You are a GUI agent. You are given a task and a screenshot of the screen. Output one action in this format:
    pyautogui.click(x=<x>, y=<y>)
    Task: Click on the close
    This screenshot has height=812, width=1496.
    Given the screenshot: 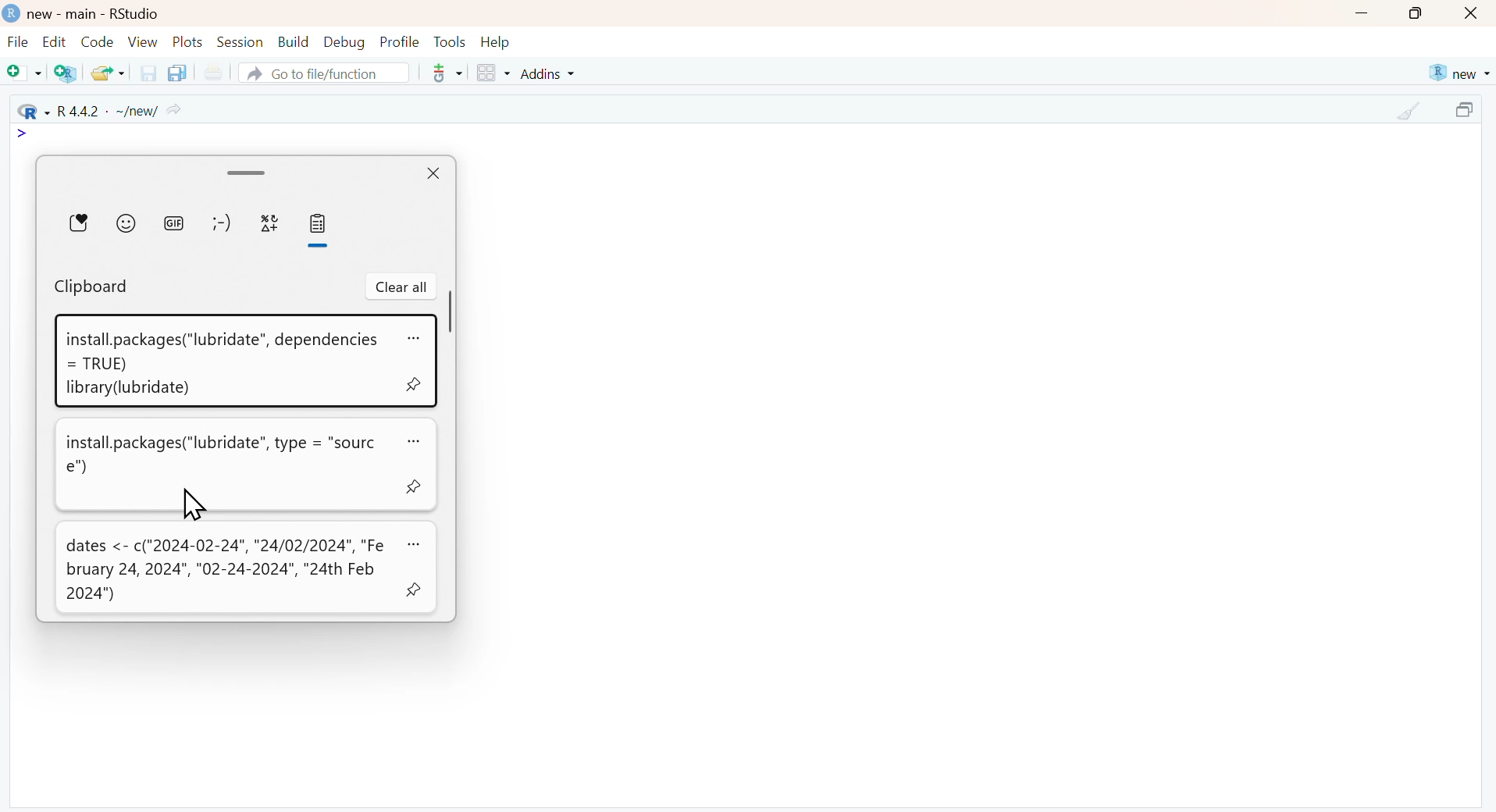 What is the action you would take?
    pyautogui.click(x=1473, y=14)
    